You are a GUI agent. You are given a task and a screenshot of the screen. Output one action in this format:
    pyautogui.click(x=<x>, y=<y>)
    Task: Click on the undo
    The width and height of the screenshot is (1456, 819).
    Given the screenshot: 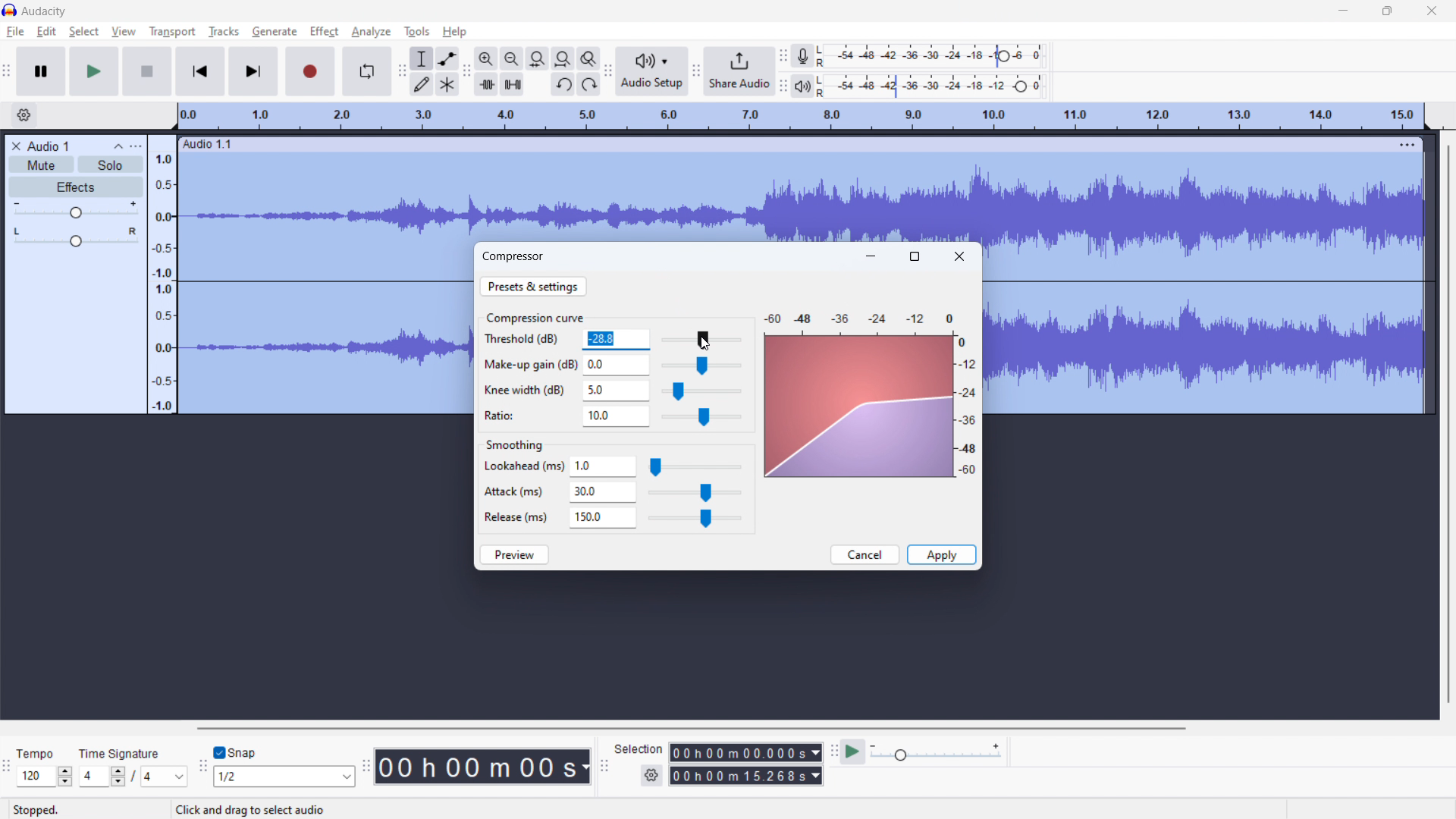 What is the action you would take?
    pyautogui.click(x=563, y=84)
    